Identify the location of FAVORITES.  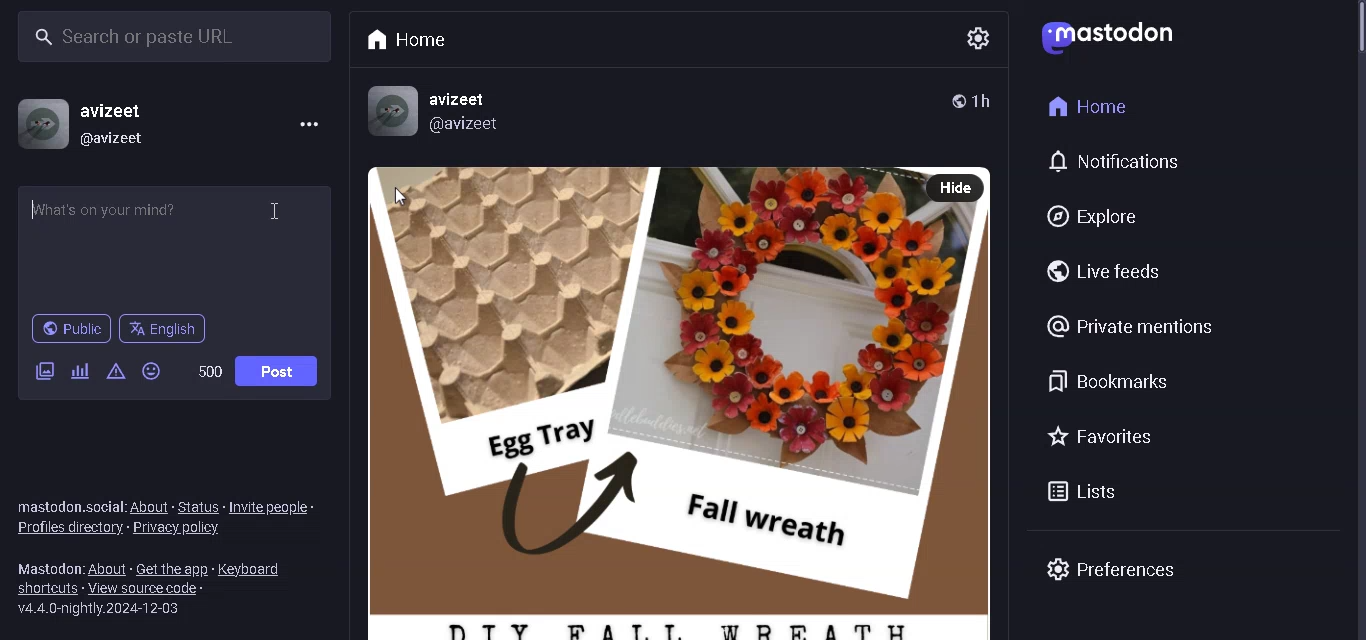
(1101, 438).